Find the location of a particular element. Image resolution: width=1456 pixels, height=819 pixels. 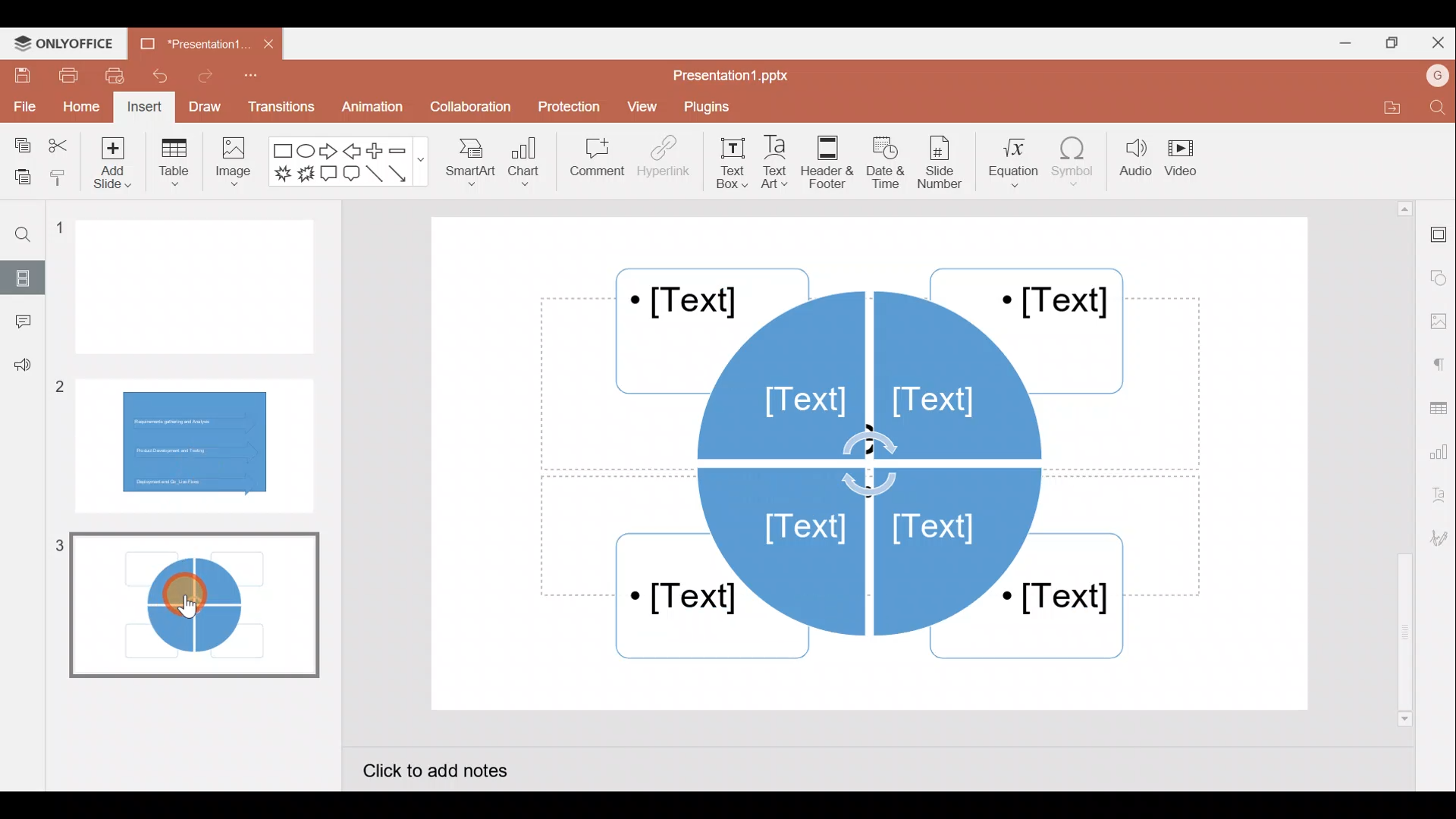

Find is located at coordinates (31, 237).